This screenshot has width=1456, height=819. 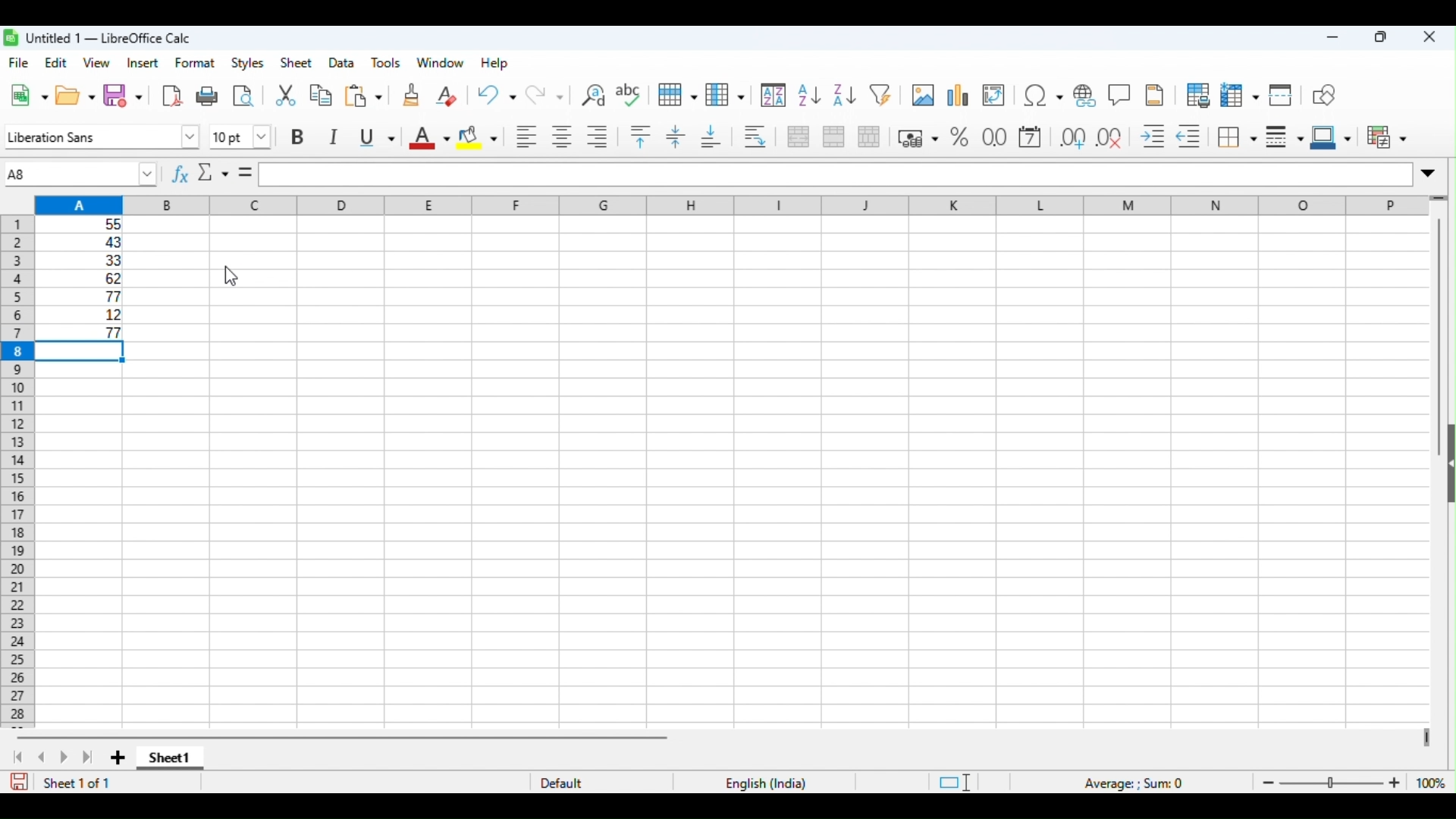 I want to click on insert header and footer, so click(x=1153, y=94).